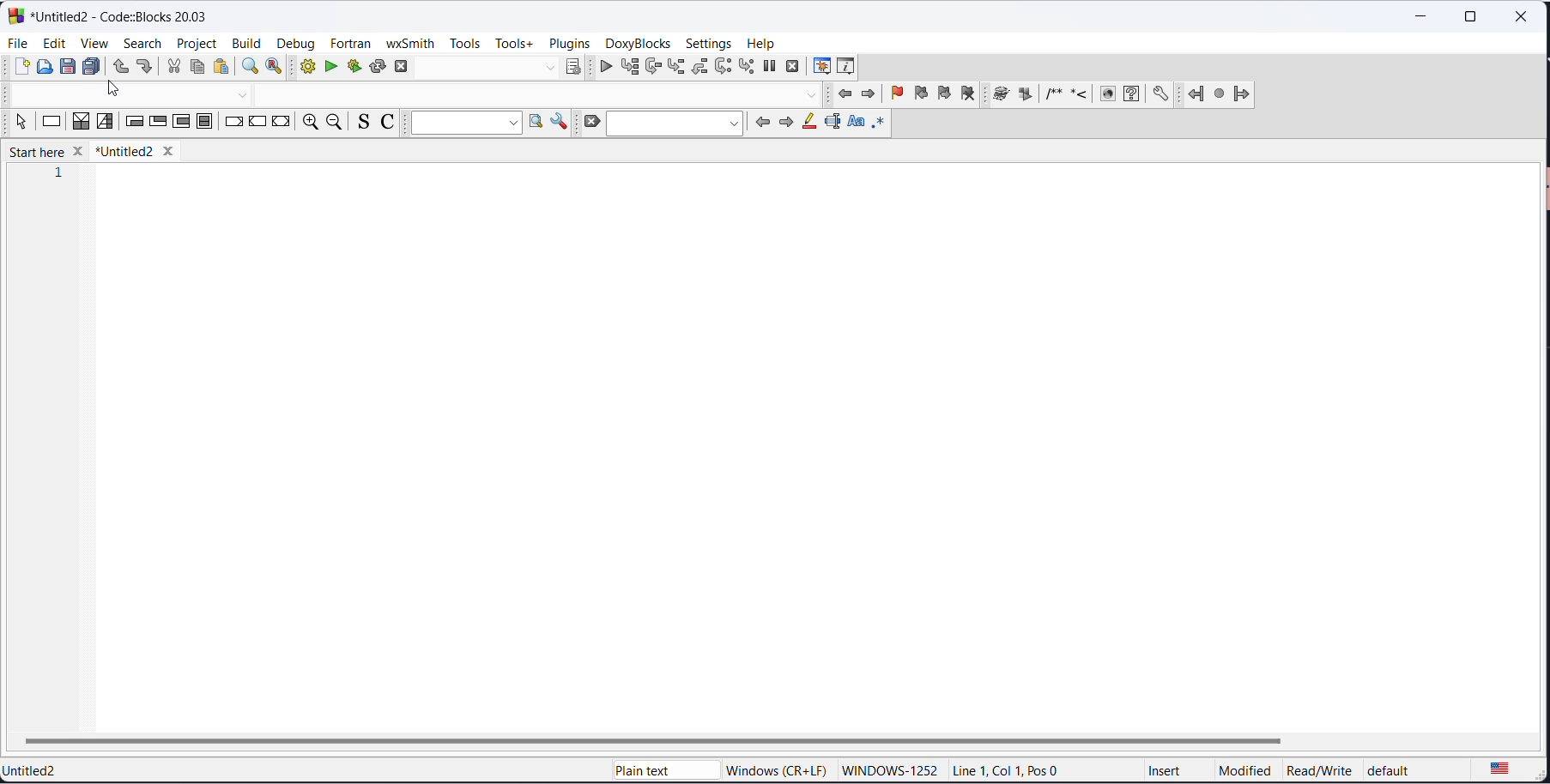  I want to click on insert comment block, so click(1055, 95).